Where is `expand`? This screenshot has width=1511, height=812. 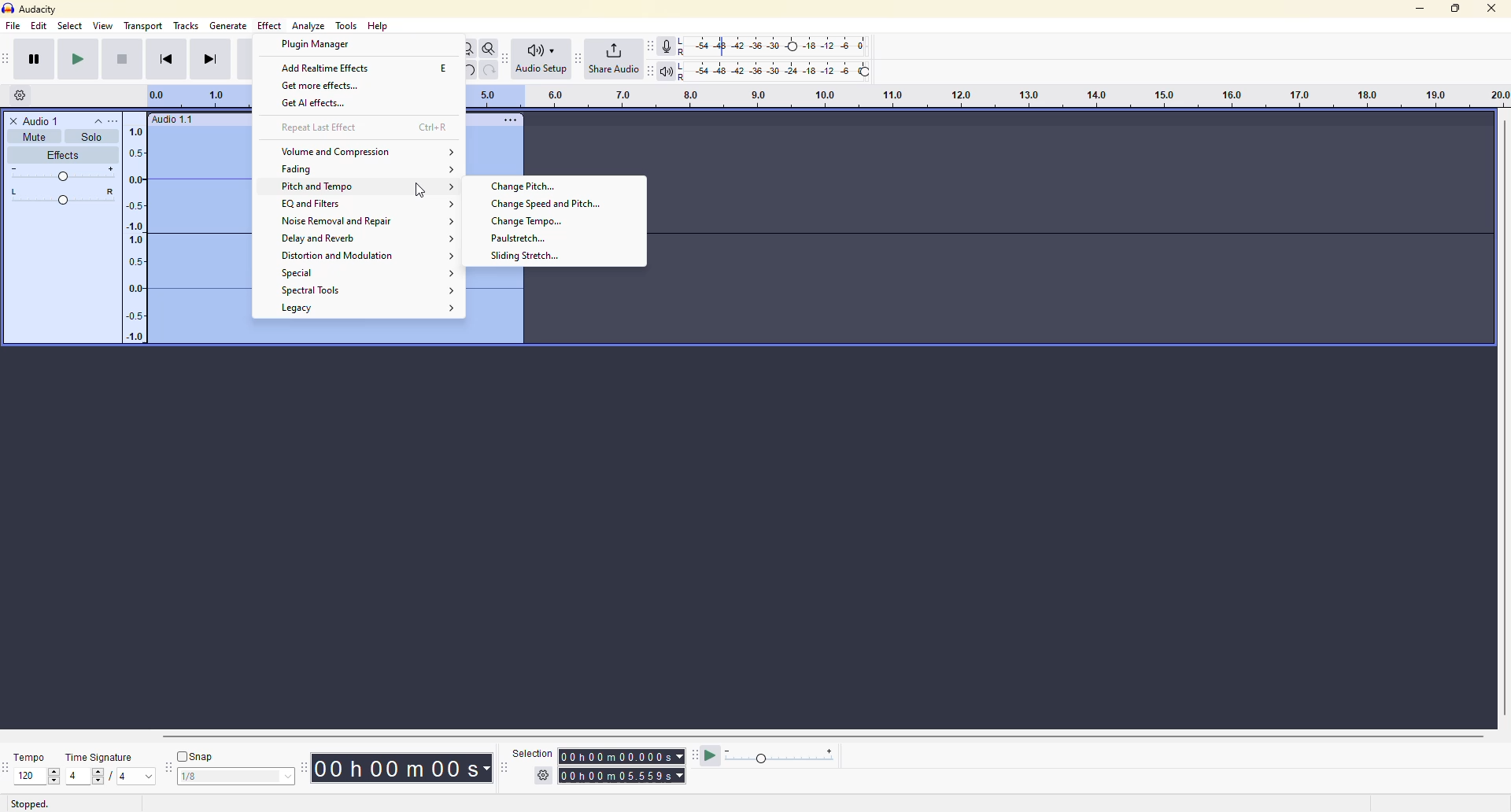 expand is located at coordinates (451, 292).